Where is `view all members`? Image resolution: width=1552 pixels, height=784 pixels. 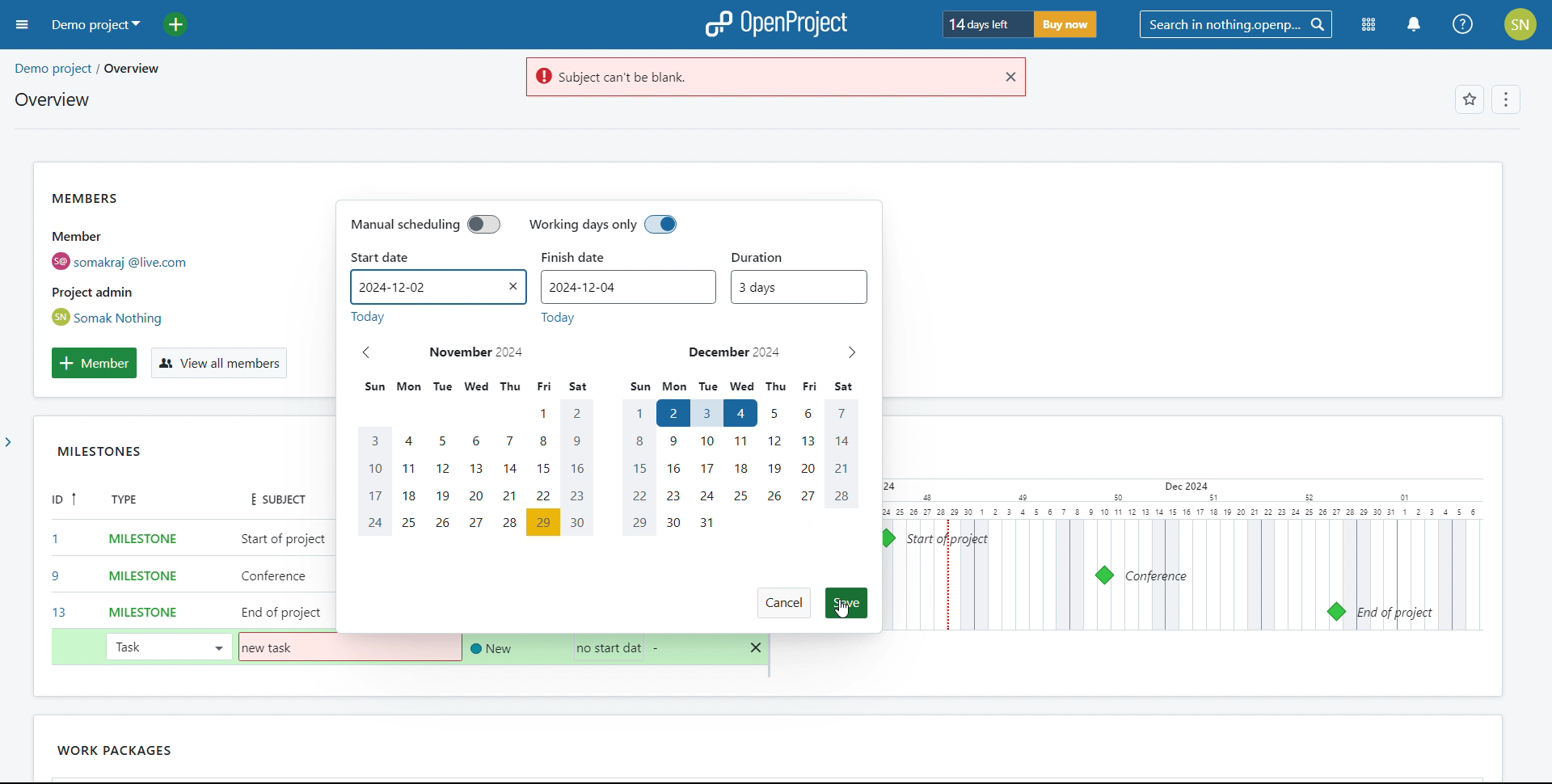
view all members is located at coordinates (217, 364).